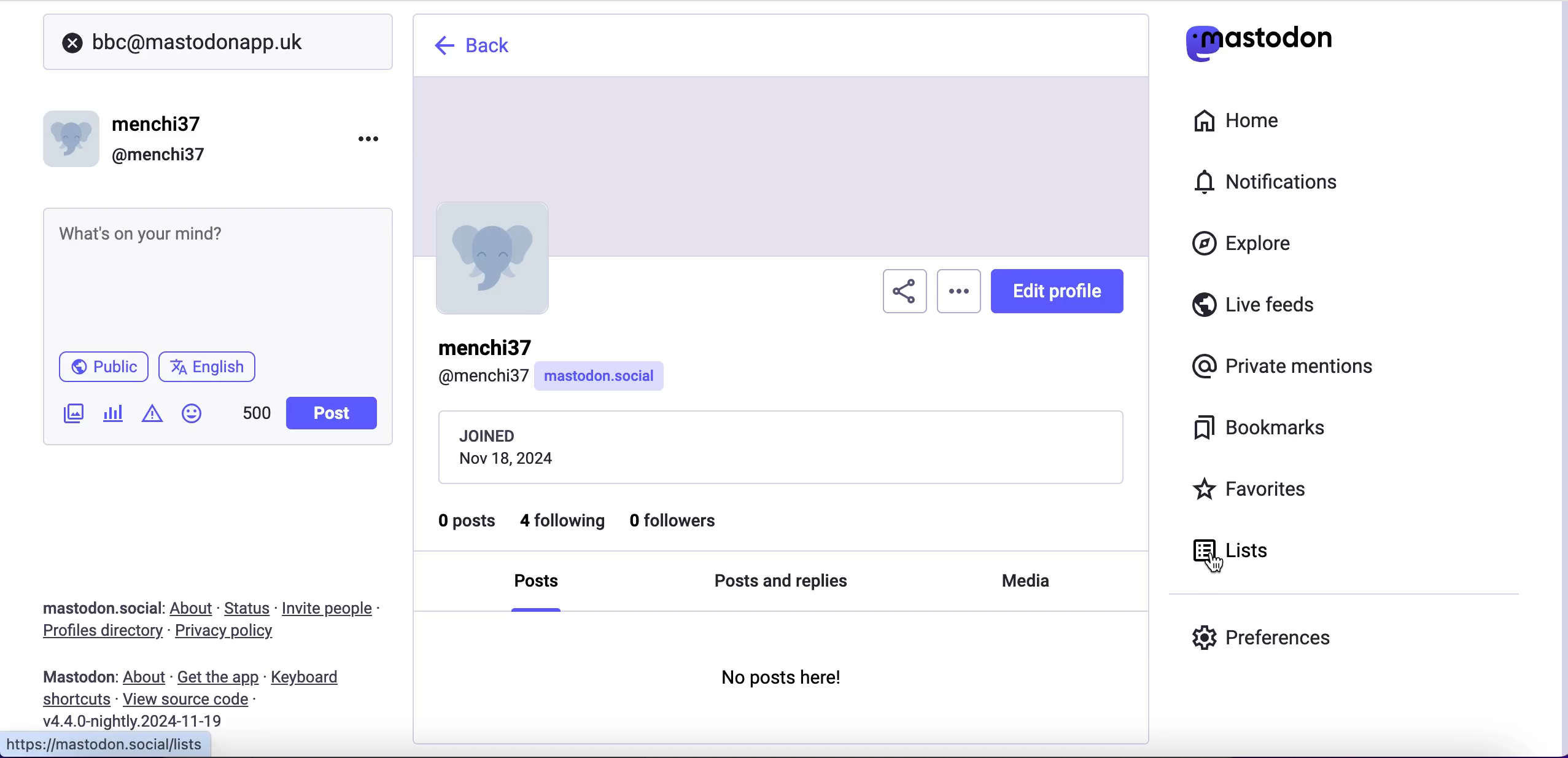  What do you see at coordinates (212, 372) in the screenshot?
I see `language` at bounding box center [212, 372].